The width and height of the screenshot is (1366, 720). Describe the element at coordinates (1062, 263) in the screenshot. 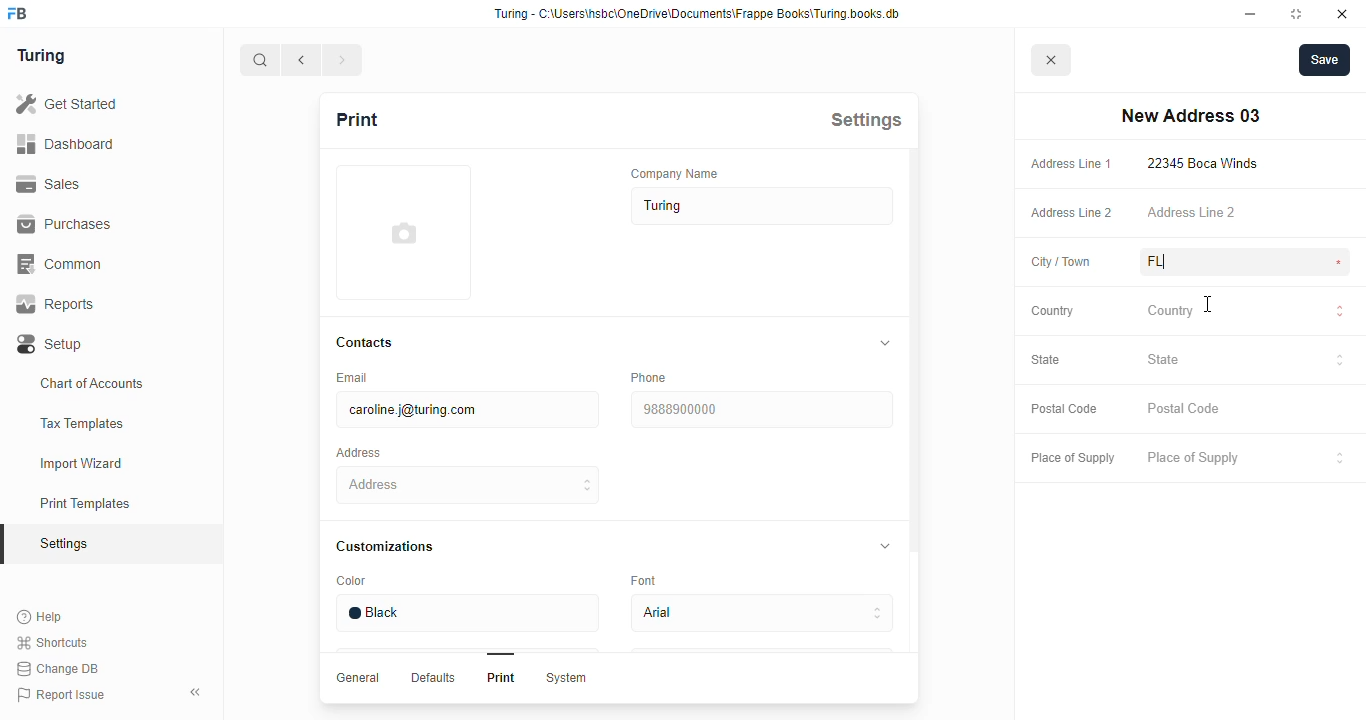

I see `city / town` at that location.